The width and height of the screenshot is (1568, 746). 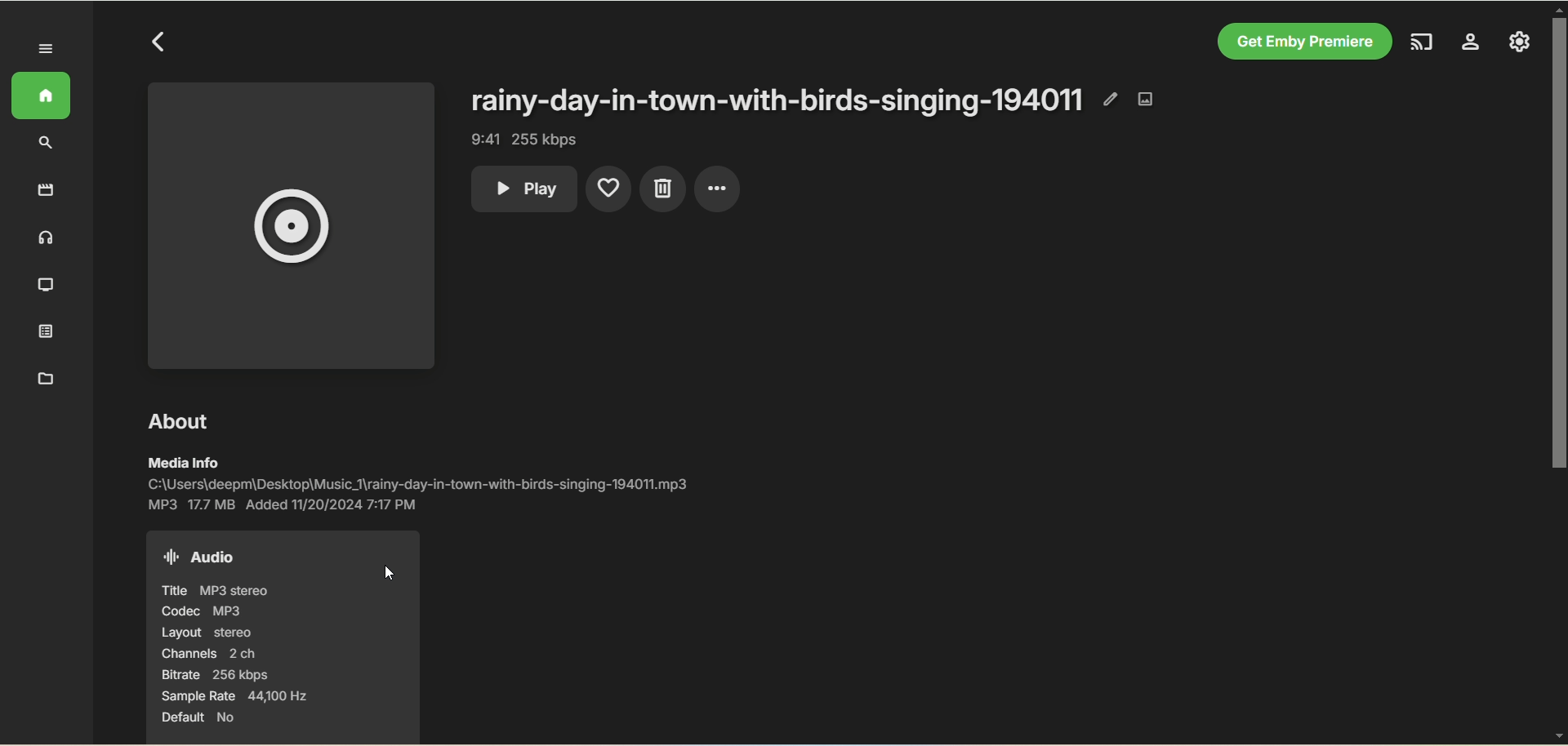 What do you see at coordinates (42, 144) in the screenshot?
I see `search` at bounding box center [42, 144].